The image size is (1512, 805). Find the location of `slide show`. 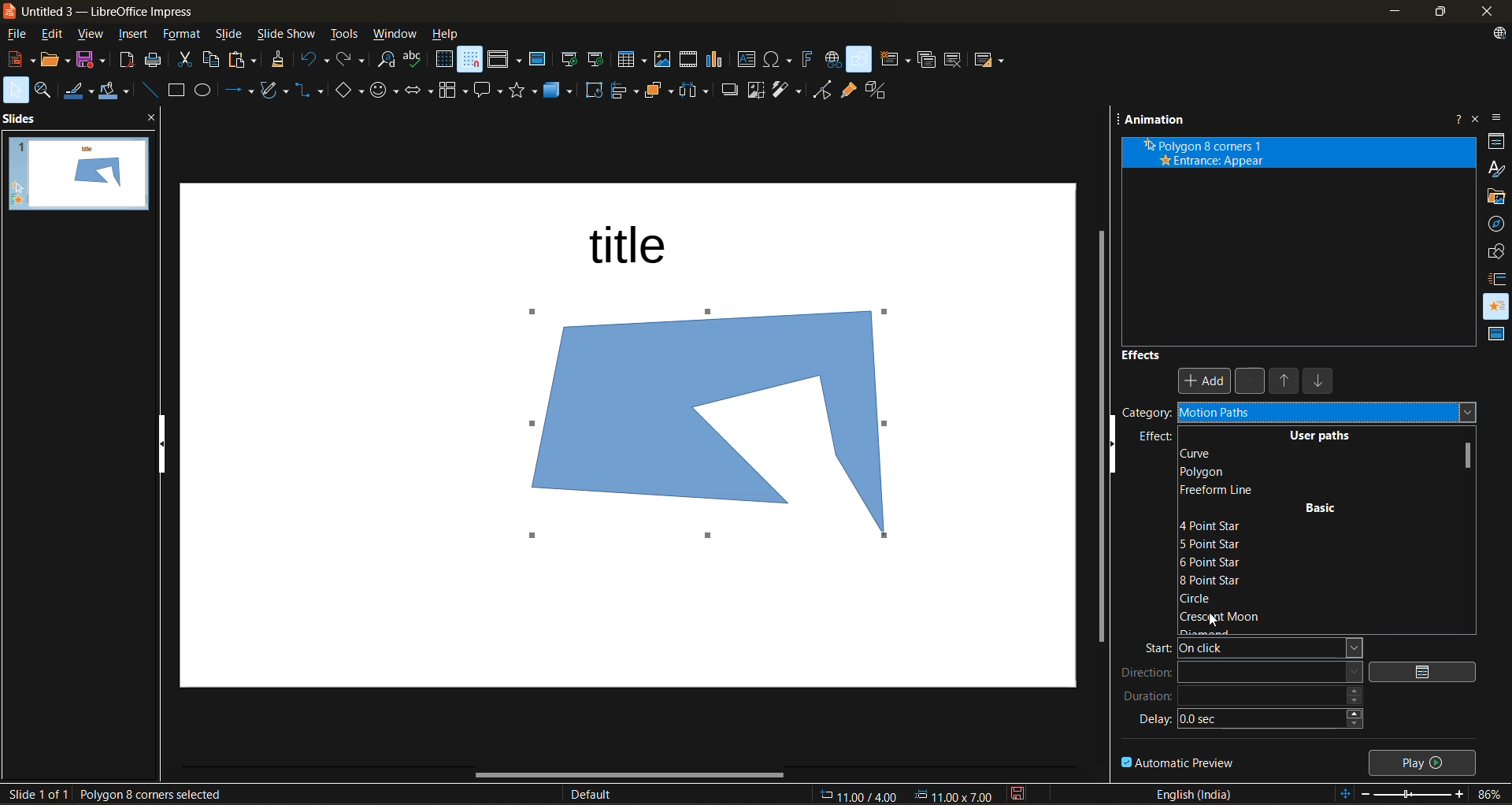

slide show is located at coordinates (286, 35).